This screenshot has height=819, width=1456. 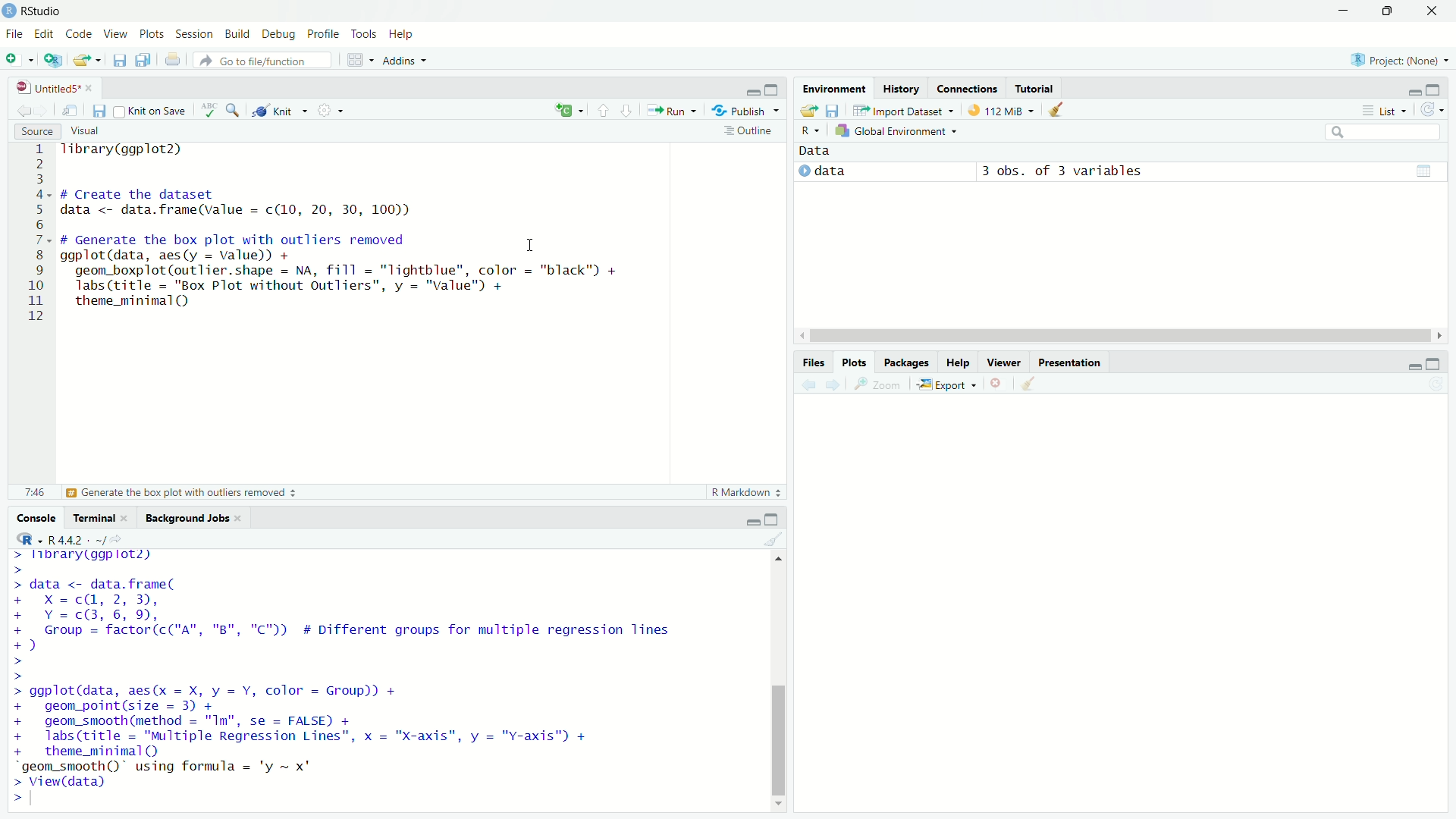 I want to click on Tibrary(ggplot2)

# Create the dataset

data <- data.frame(value = c(10, 20, 30, 100))

# Generate the box plot with outliers removed ii

ggplot(data, aes(y = Valued) +
geom_boxplot(outlier.shape = NA, fill = "lightblue", color = "black") +
labs (title = "Box Plot without outliers", y = "value") +
theme_minimal), so click(x=363, y=242).